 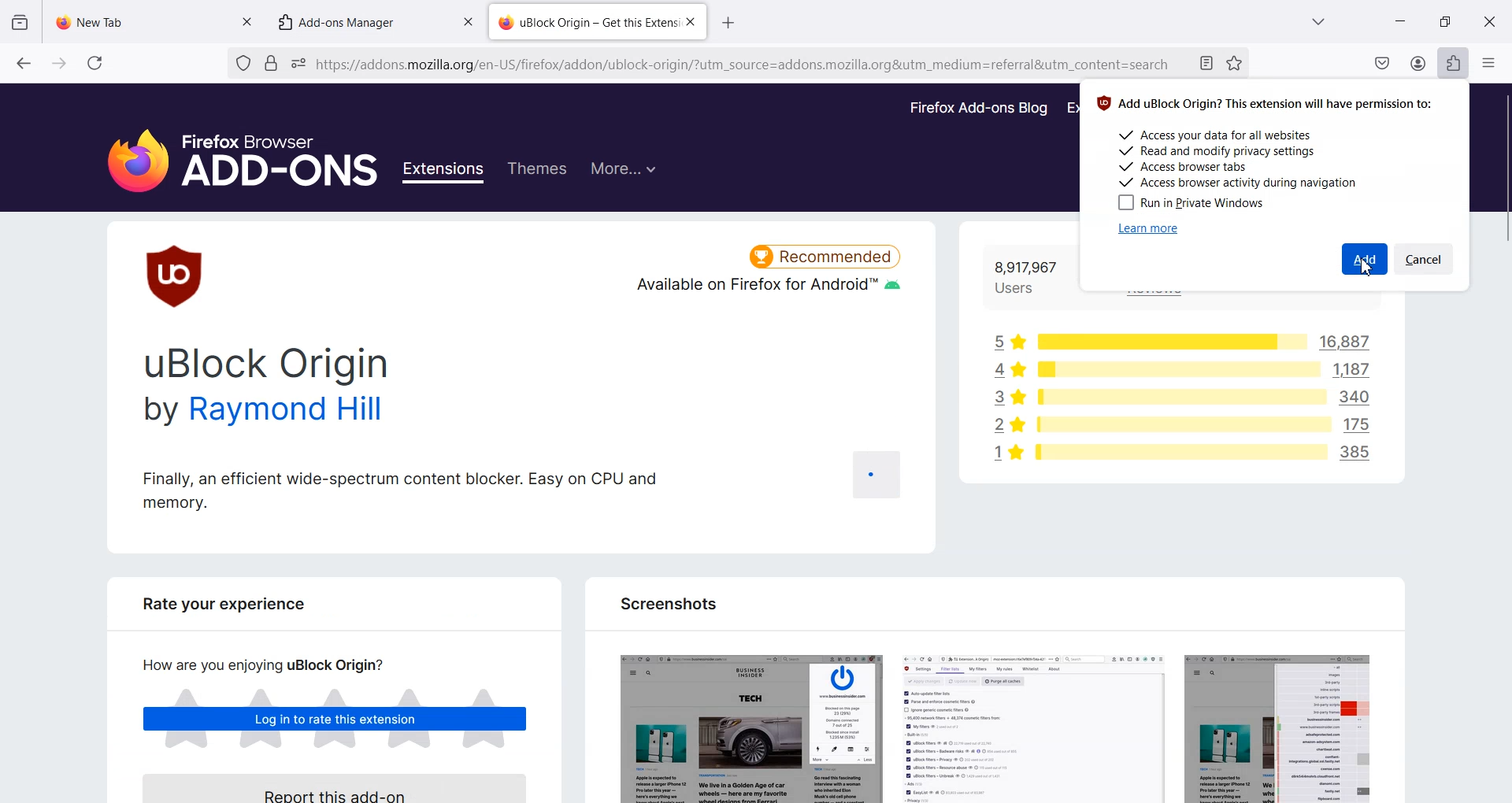 I want to click on Firefox Browser Add-Ons, so click(x=228, y=152).